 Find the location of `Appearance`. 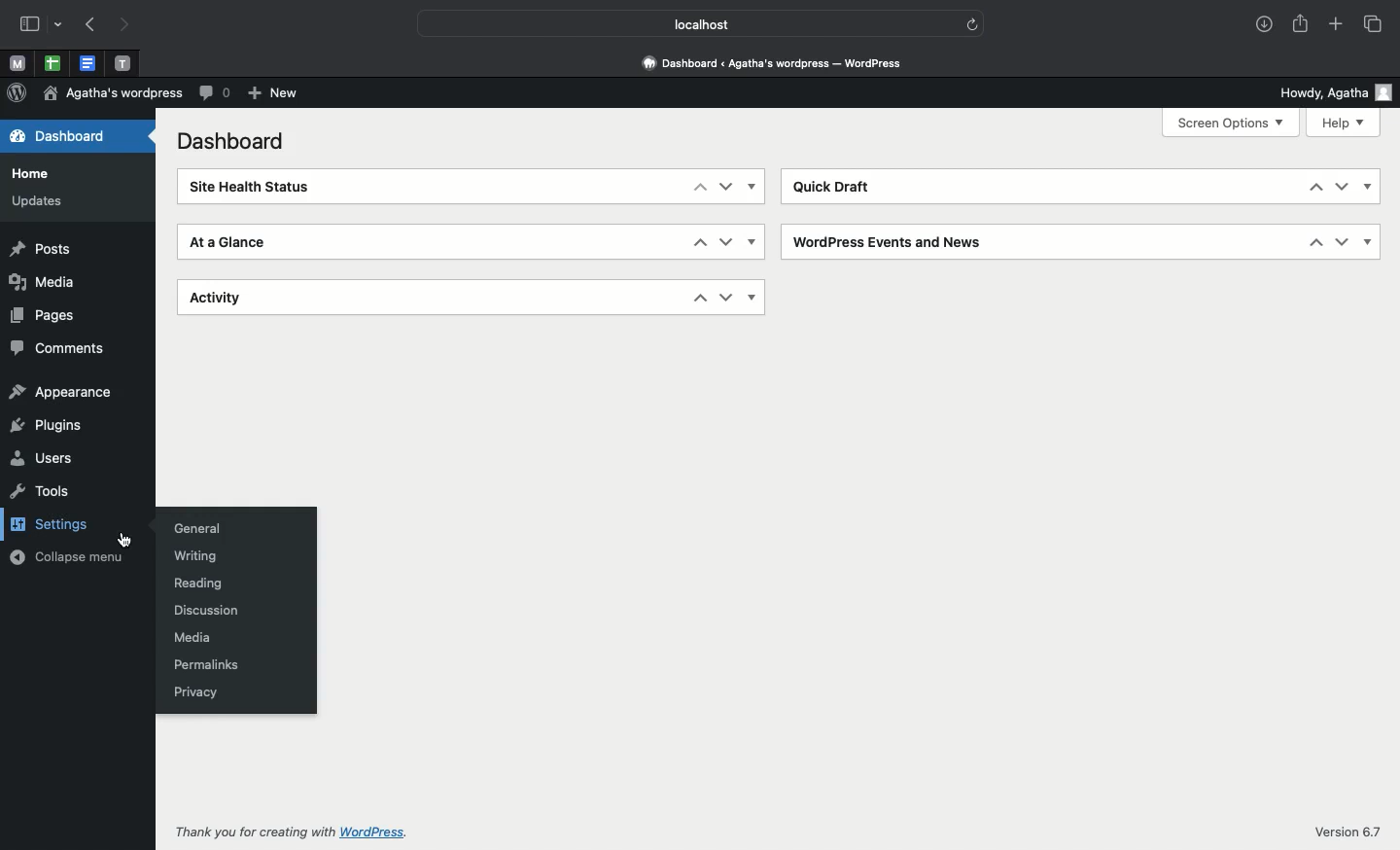

Appearance is located at coordinates (59, 392).